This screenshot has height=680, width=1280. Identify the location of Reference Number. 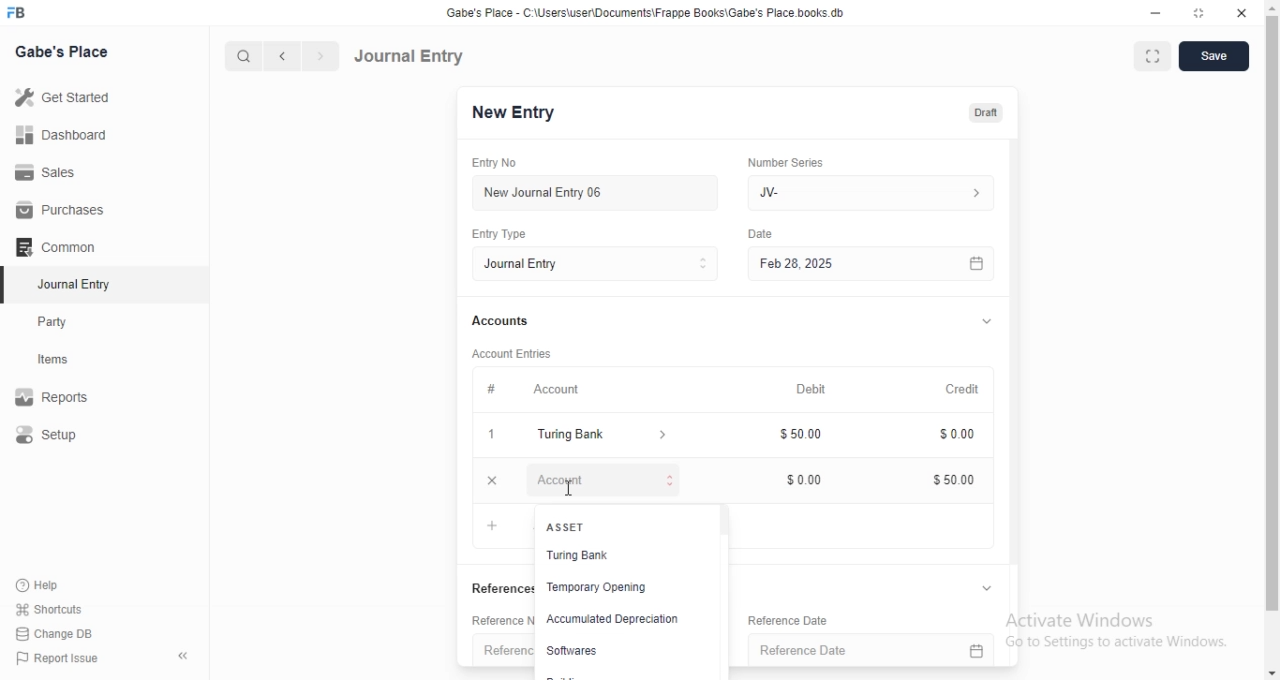
(502, 621).